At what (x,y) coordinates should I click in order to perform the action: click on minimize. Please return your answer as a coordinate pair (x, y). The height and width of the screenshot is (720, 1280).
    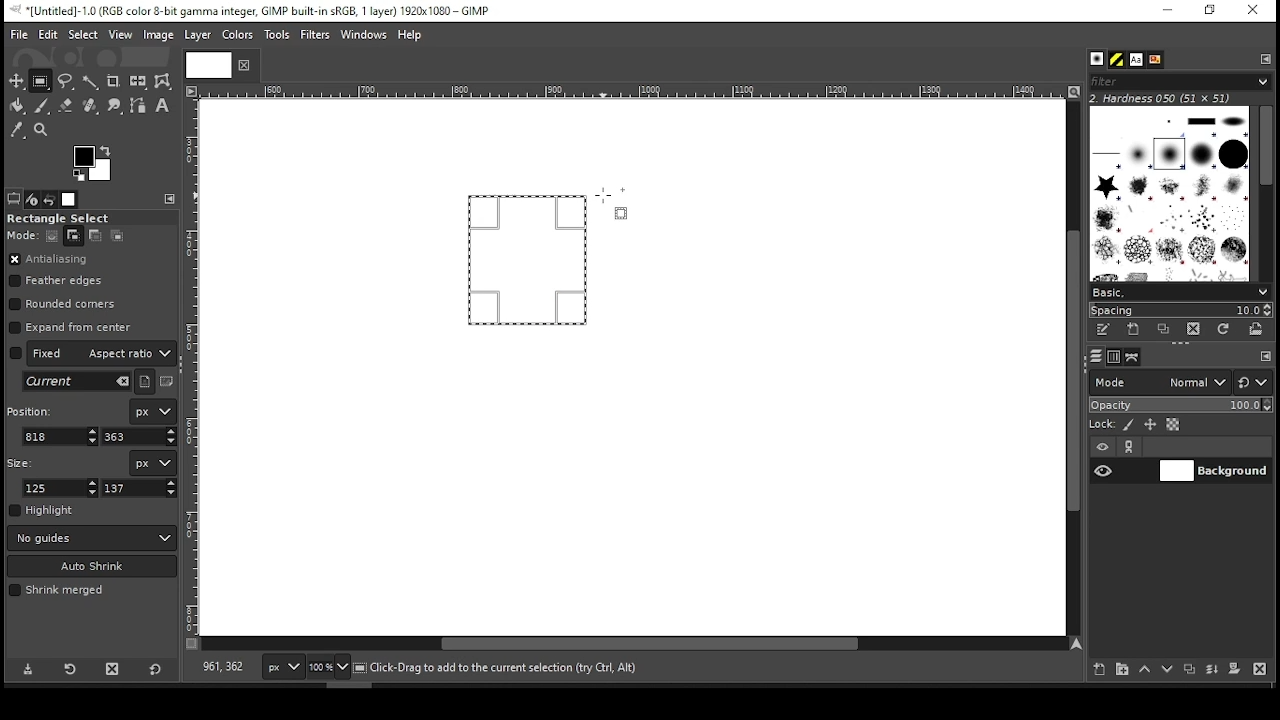
    Looking at the image, I should click on (1166, 11).